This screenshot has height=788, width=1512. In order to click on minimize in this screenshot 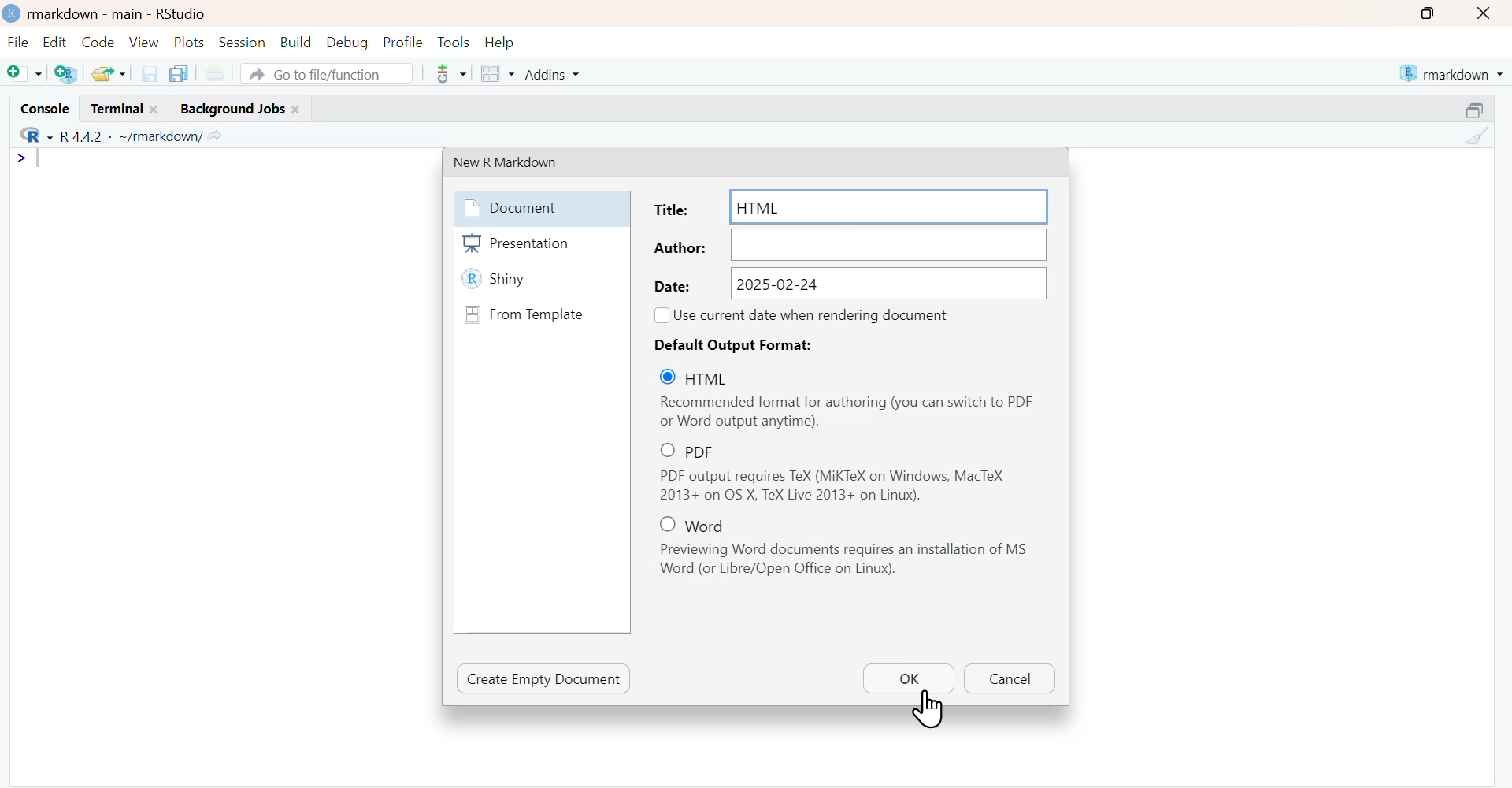, I will do `click(1373, 13)`.